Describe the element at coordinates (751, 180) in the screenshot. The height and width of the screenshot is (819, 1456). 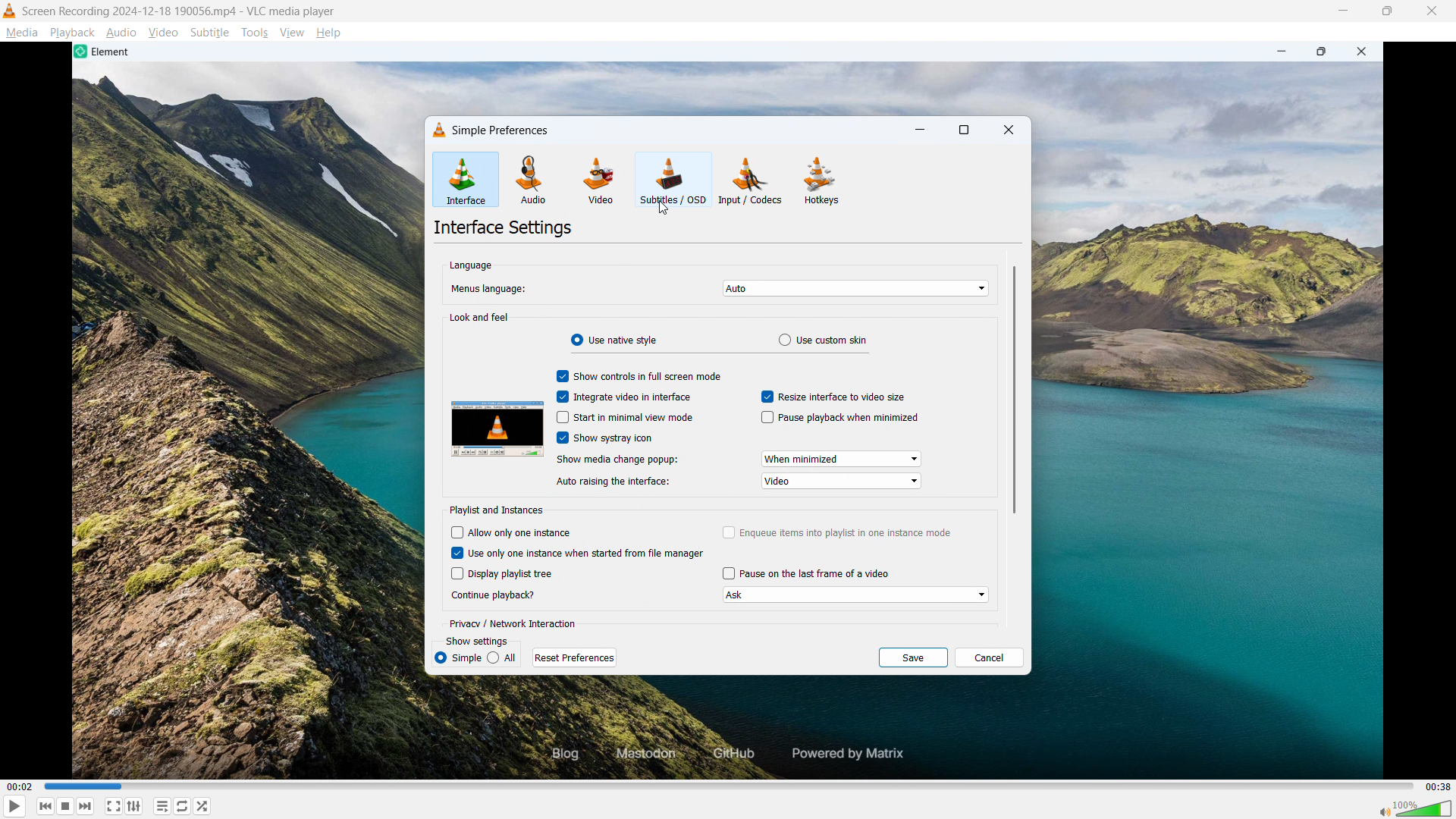
I see `Input or codecs ` at that location.